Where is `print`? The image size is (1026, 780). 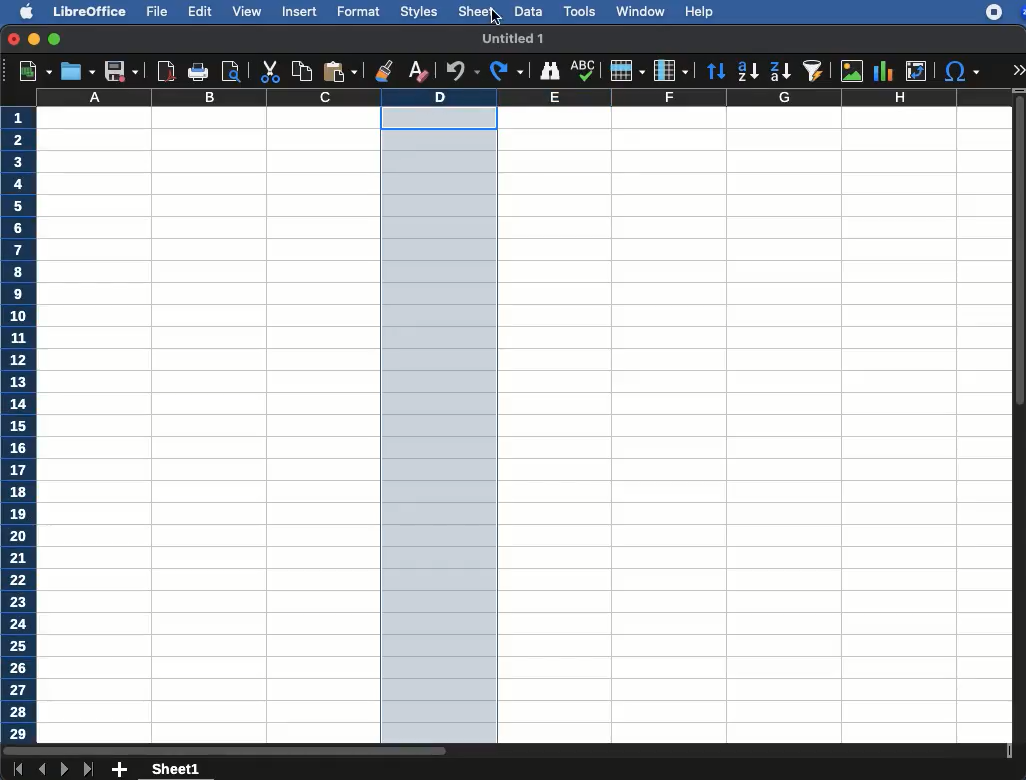
print is located at coordinates (199, 71).